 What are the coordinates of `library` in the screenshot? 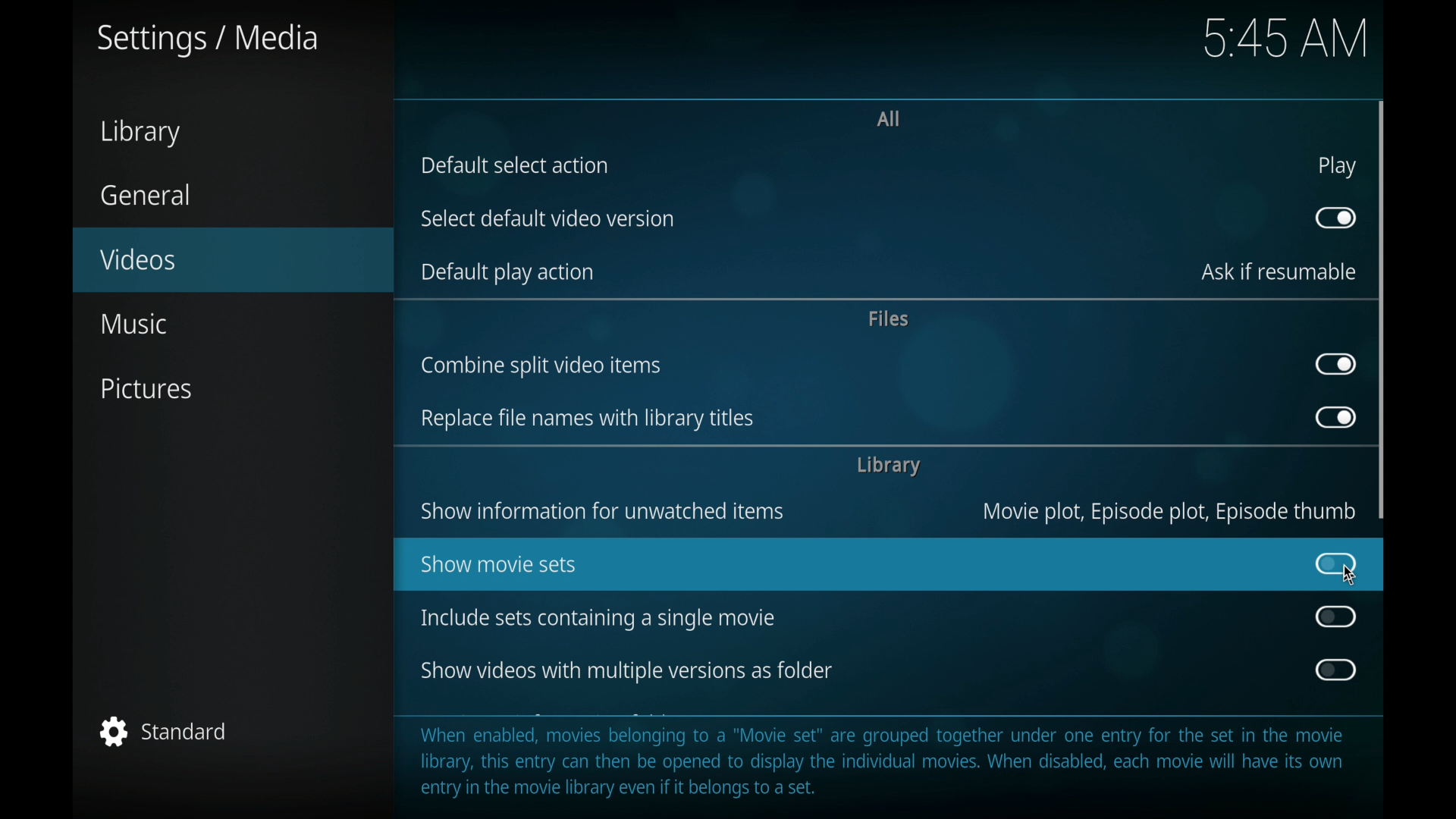 It's located at (888, 466).